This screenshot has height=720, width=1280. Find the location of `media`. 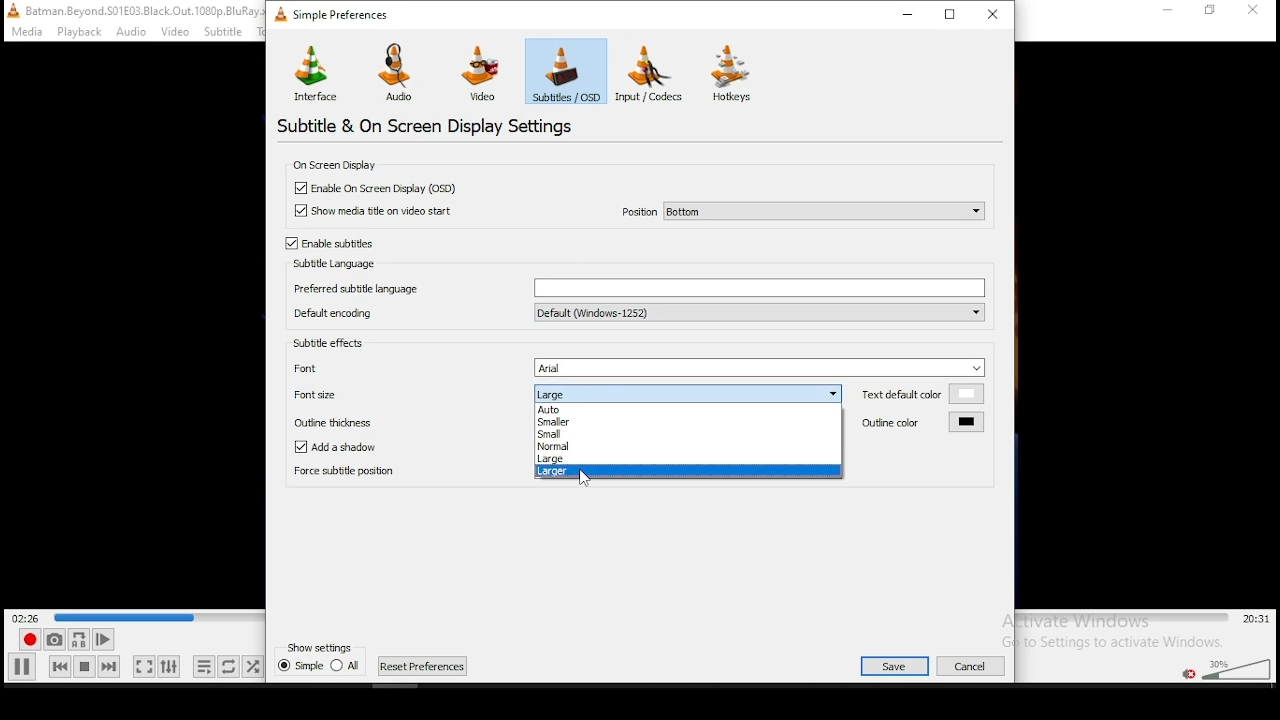

media is located at coordinates (29, 32).